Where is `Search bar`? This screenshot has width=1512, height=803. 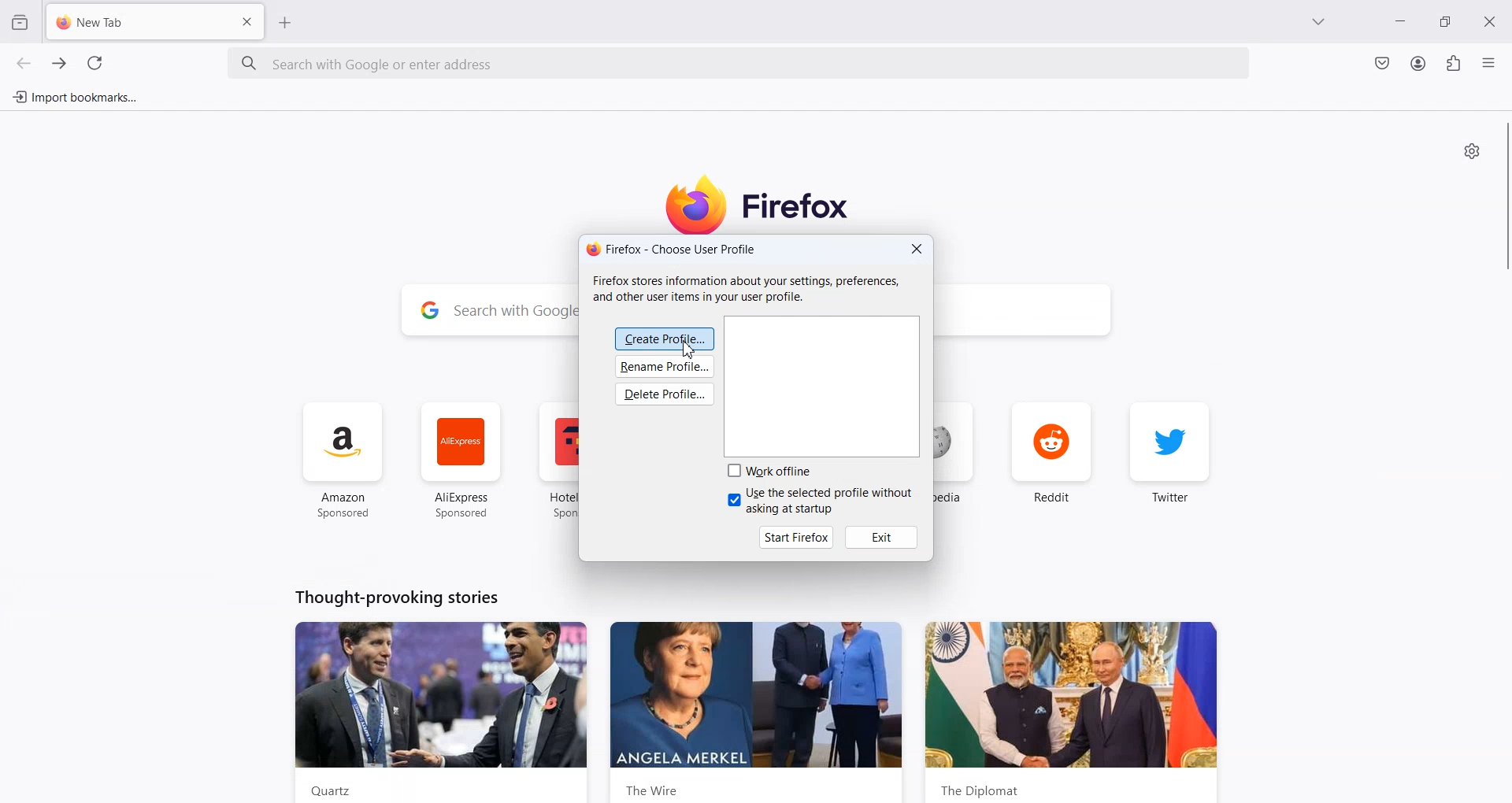 Search bar is located at coordinates (740, 65).